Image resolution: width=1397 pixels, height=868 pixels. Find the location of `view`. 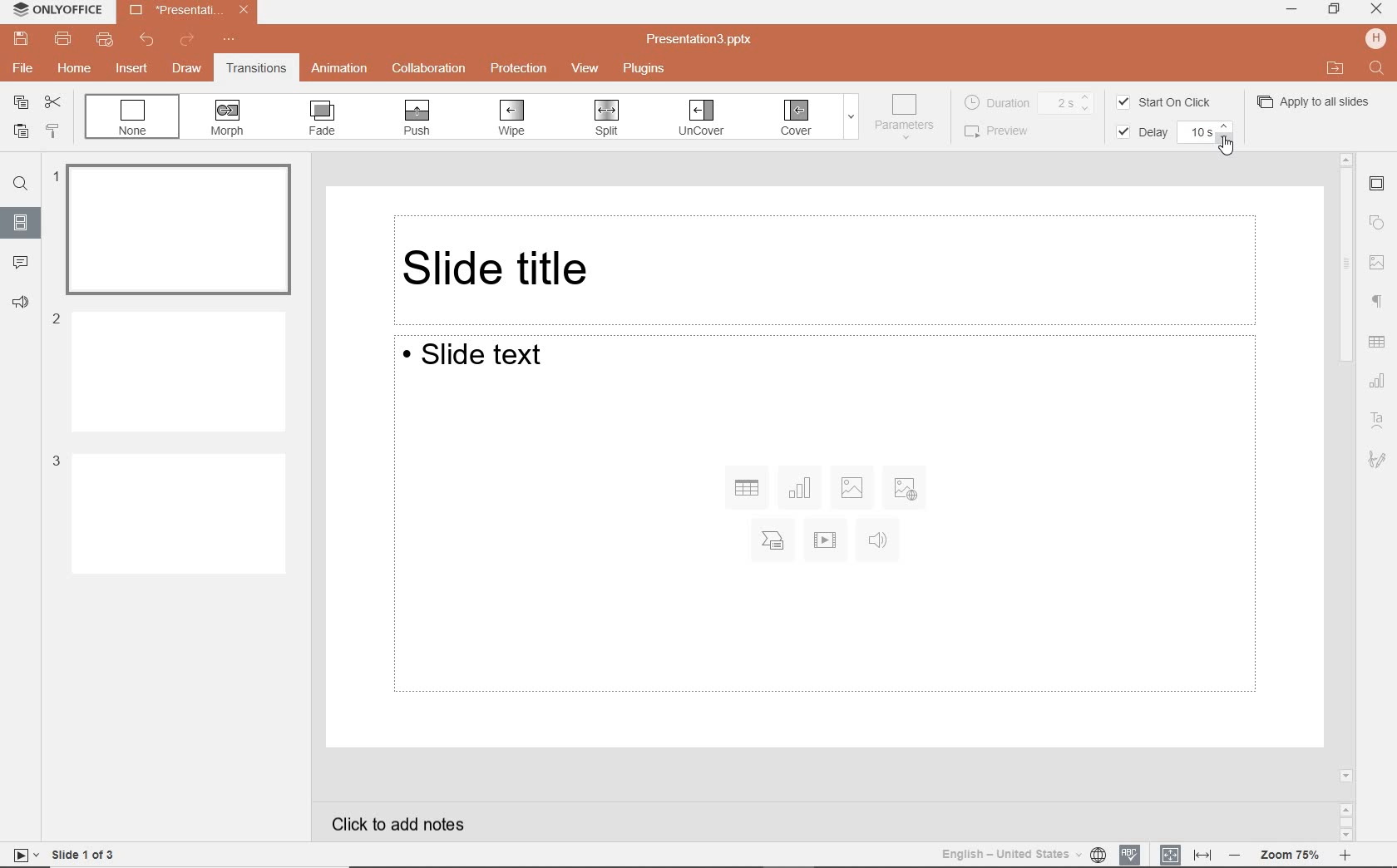

view is located at coordinates (587, 70).